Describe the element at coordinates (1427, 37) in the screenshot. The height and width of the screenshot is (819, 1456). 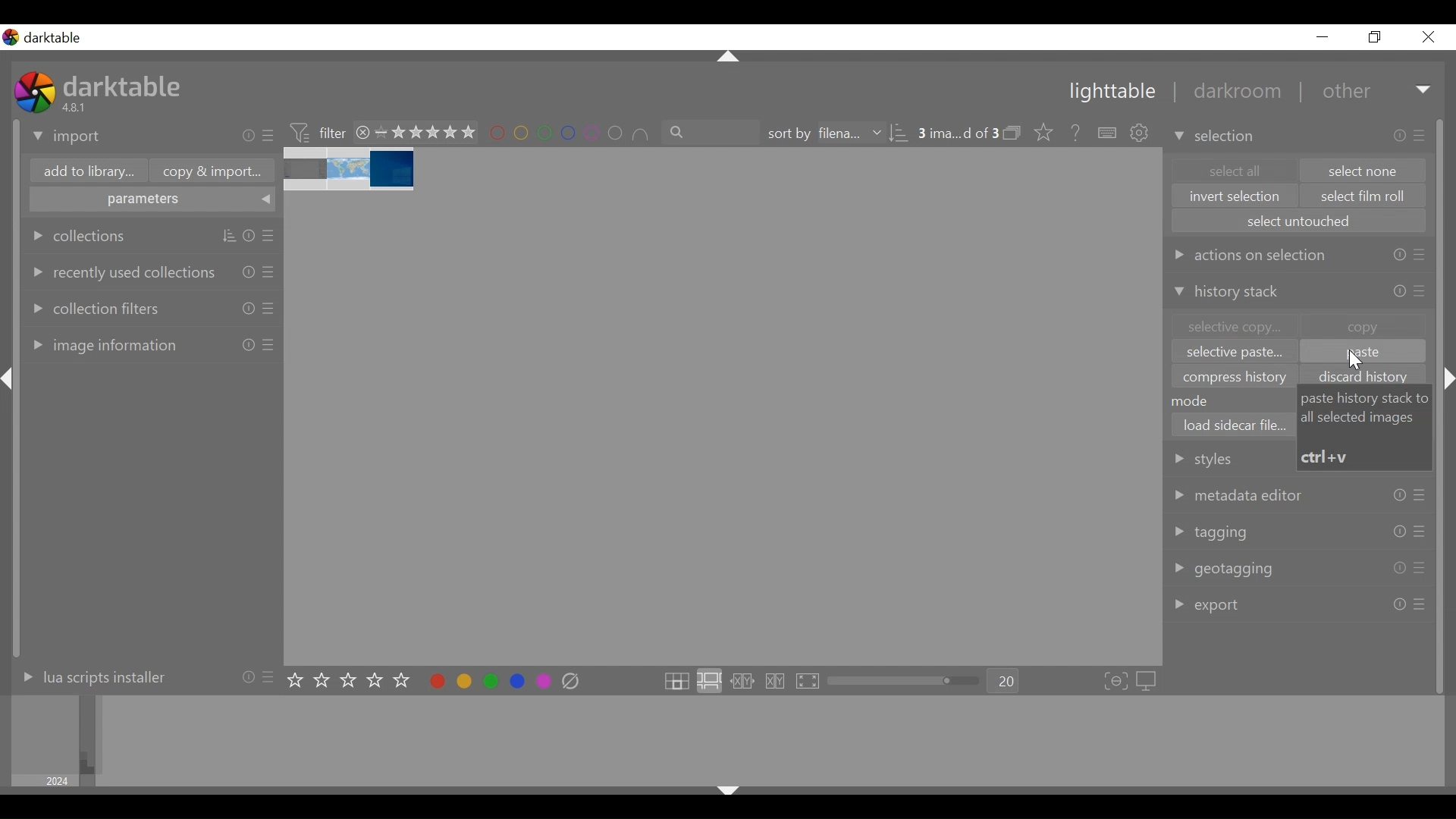
I see `close` at that location.